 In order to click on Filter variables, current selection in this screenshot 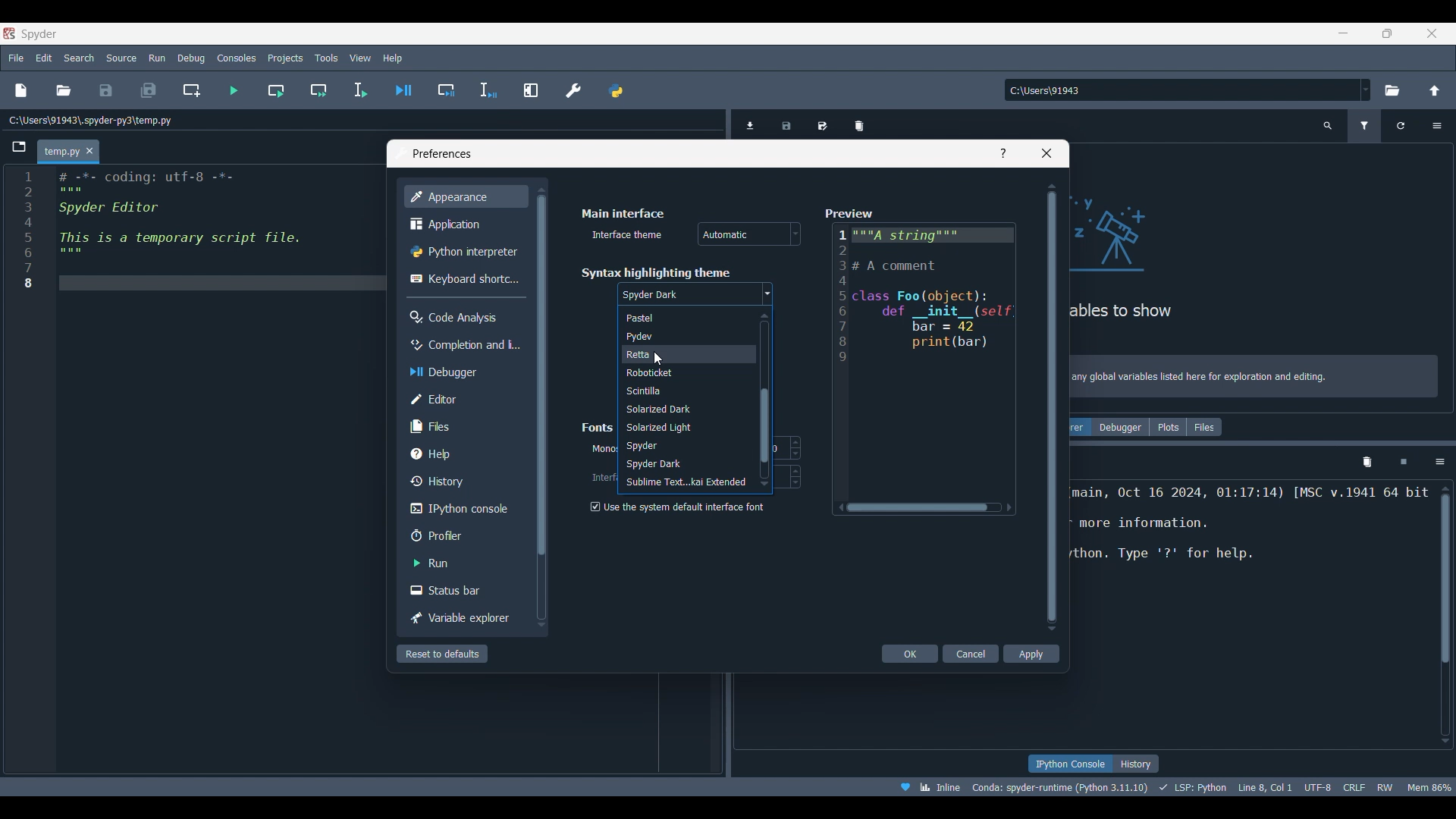, I will do `click(1366, 126)`.